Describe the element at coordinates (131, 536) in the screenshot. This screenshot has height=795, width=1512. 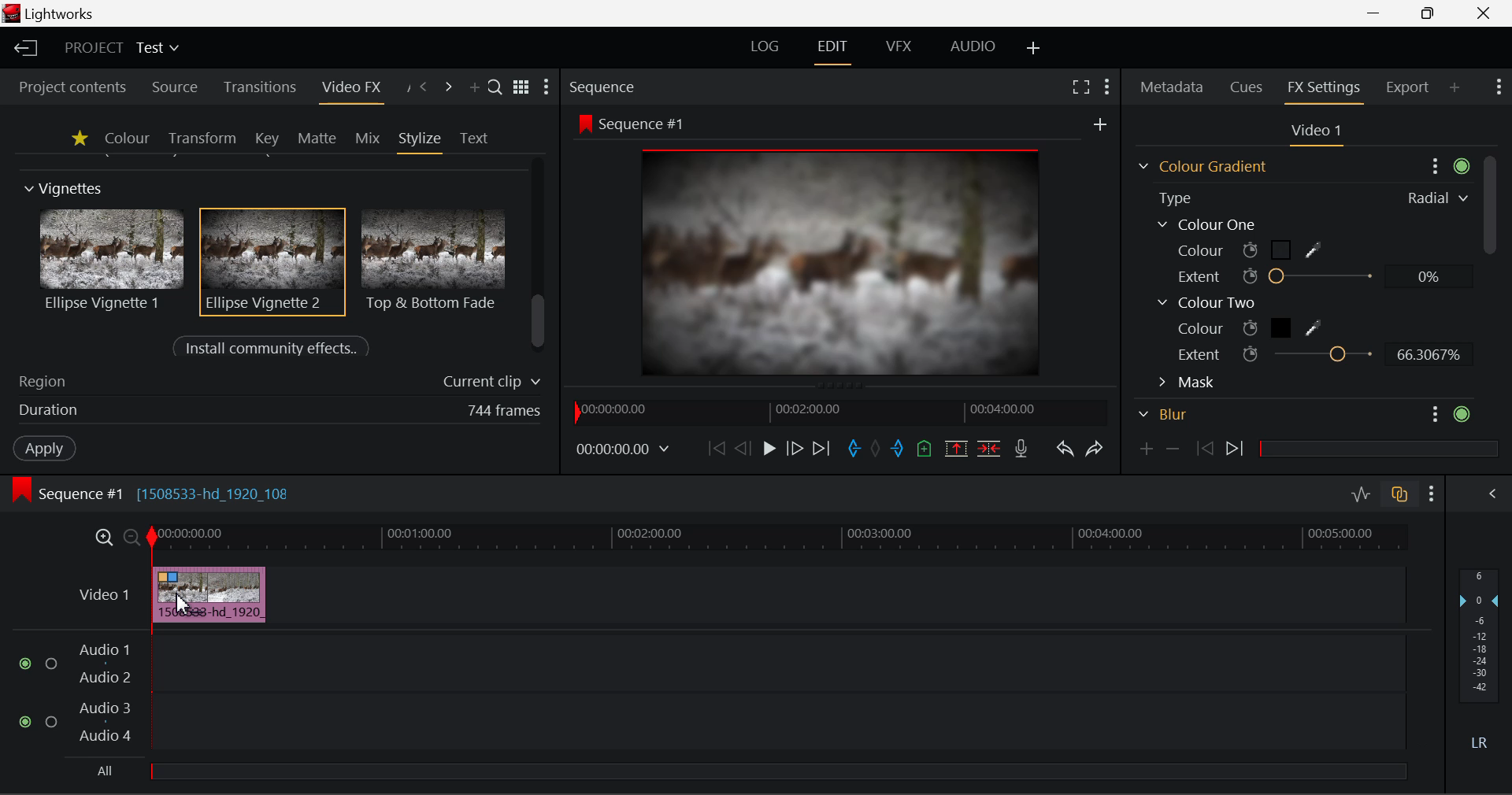
I see `Timeline Zoom Out` at that location.